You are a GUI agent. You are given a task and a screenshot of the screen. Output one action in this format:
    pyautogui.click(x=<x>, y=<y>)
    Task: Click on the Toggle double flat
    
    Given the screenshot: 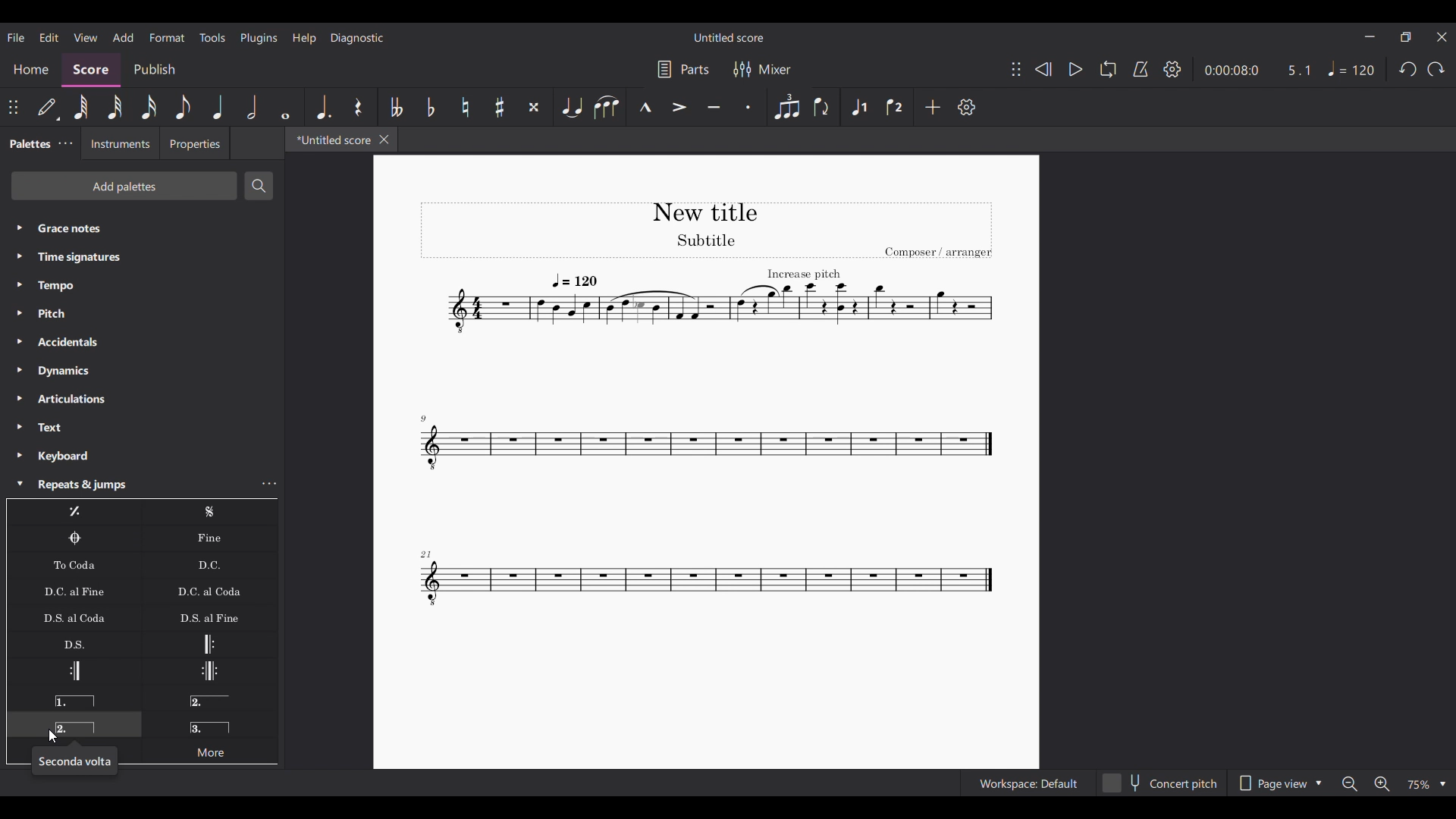 What is the action you would take?
    pyautogui.click(x=394, y=107)
    